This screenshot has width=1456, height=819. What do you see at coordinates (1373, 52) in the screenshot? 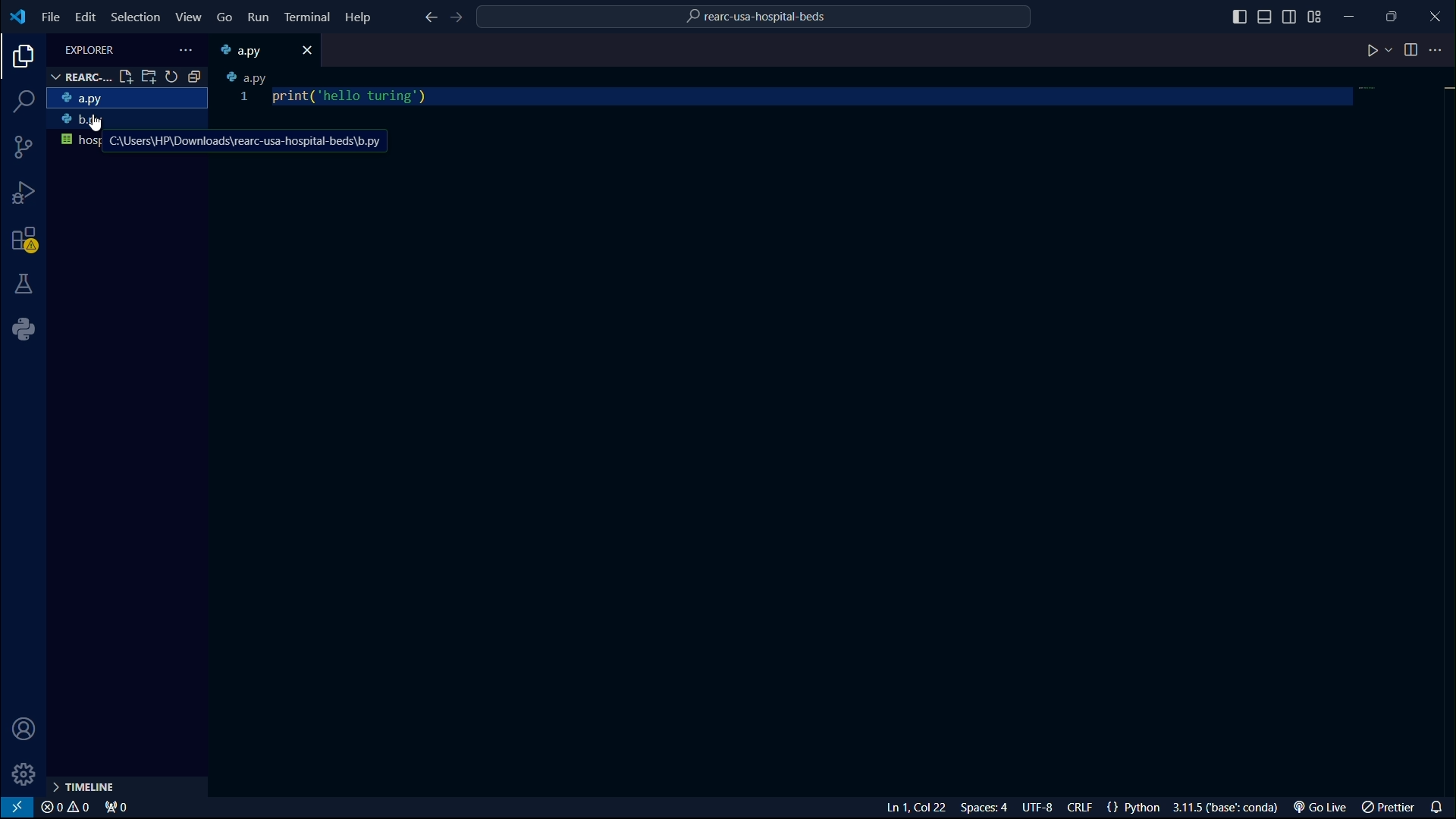
I see `run code` at bounding box center [1373, 52].